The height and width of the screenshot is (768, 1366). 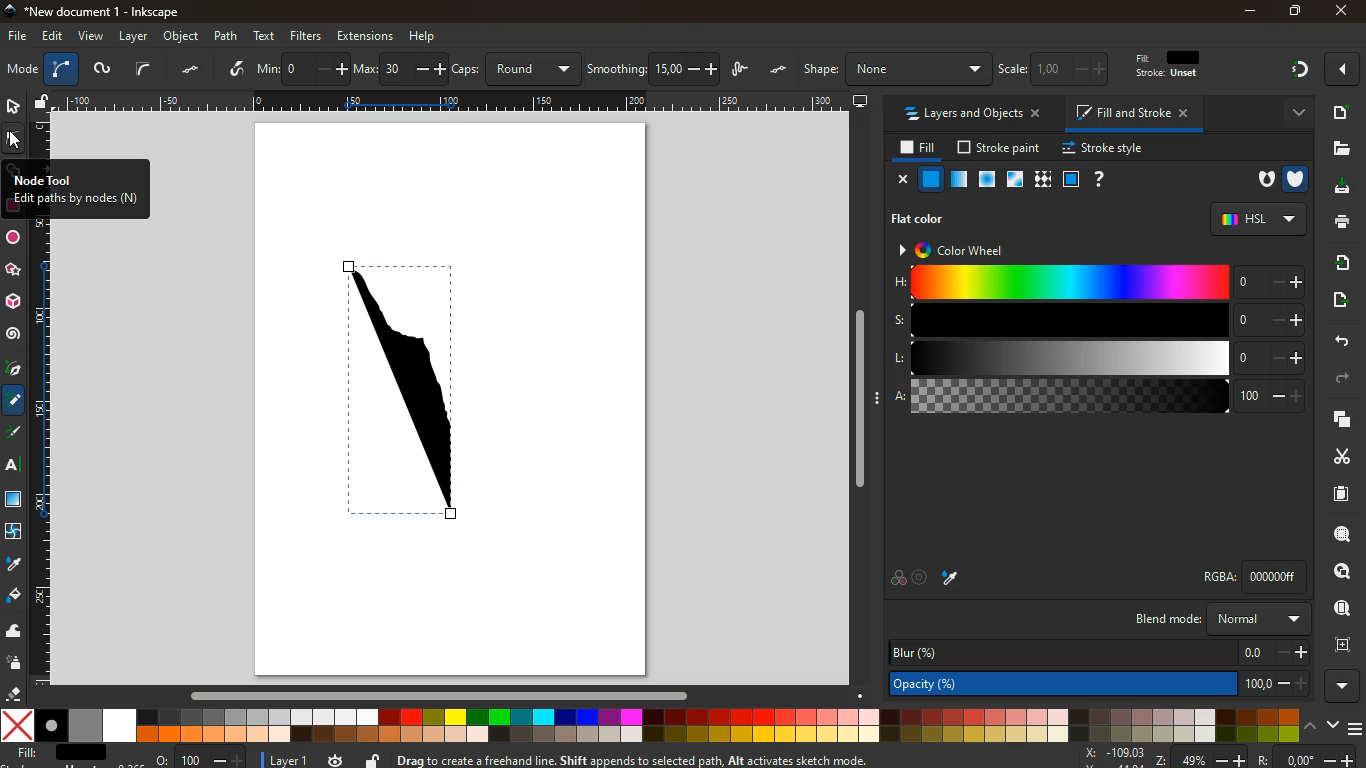 What do you see at coordinates (365, 35) in the screenshot?
I see `extensions` at bounding box center [365, 35].